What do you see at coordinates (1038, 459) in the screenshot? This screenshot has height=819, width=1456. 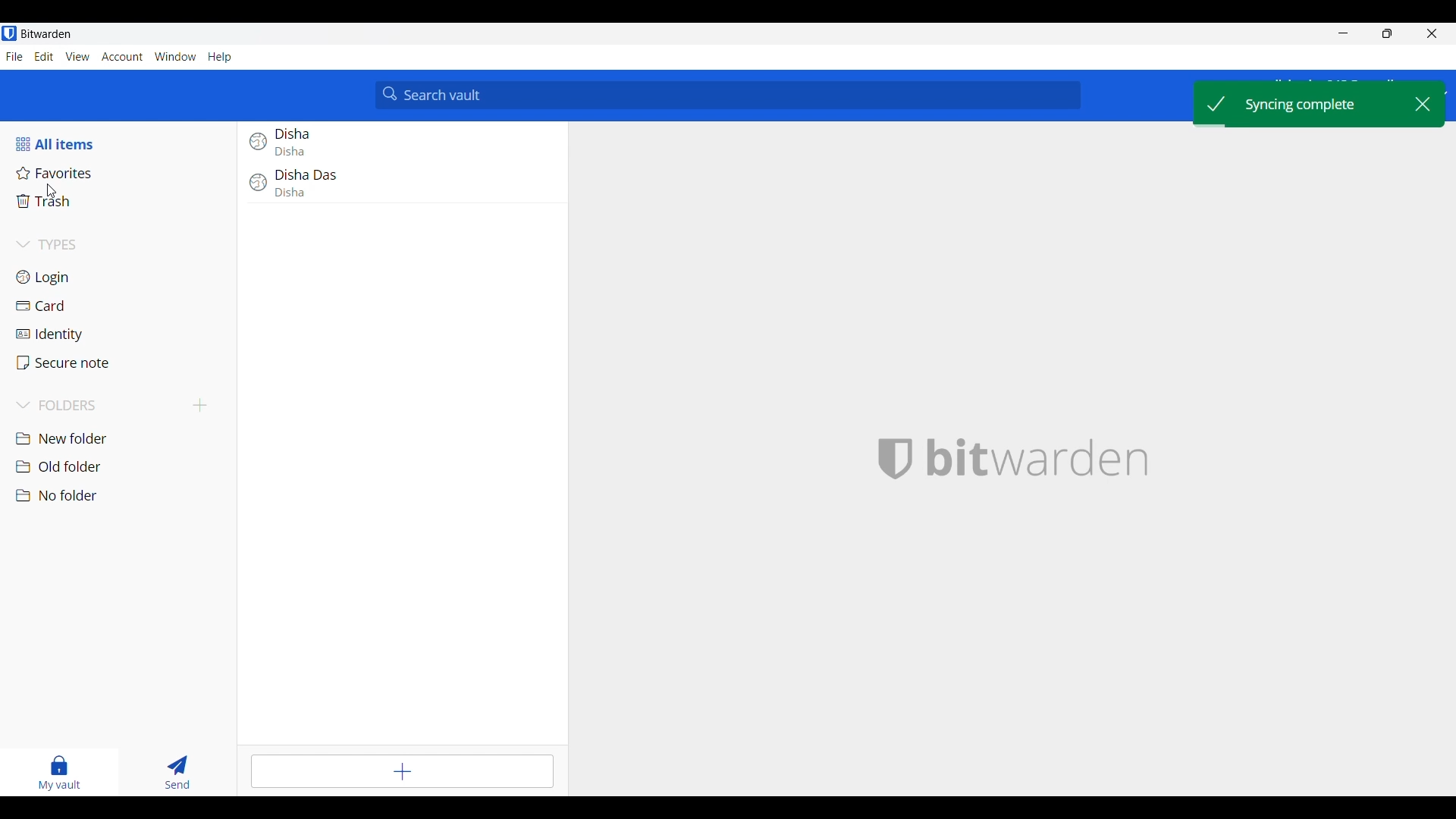 I see `Software logo and name` at bounding box center [1038, 459].